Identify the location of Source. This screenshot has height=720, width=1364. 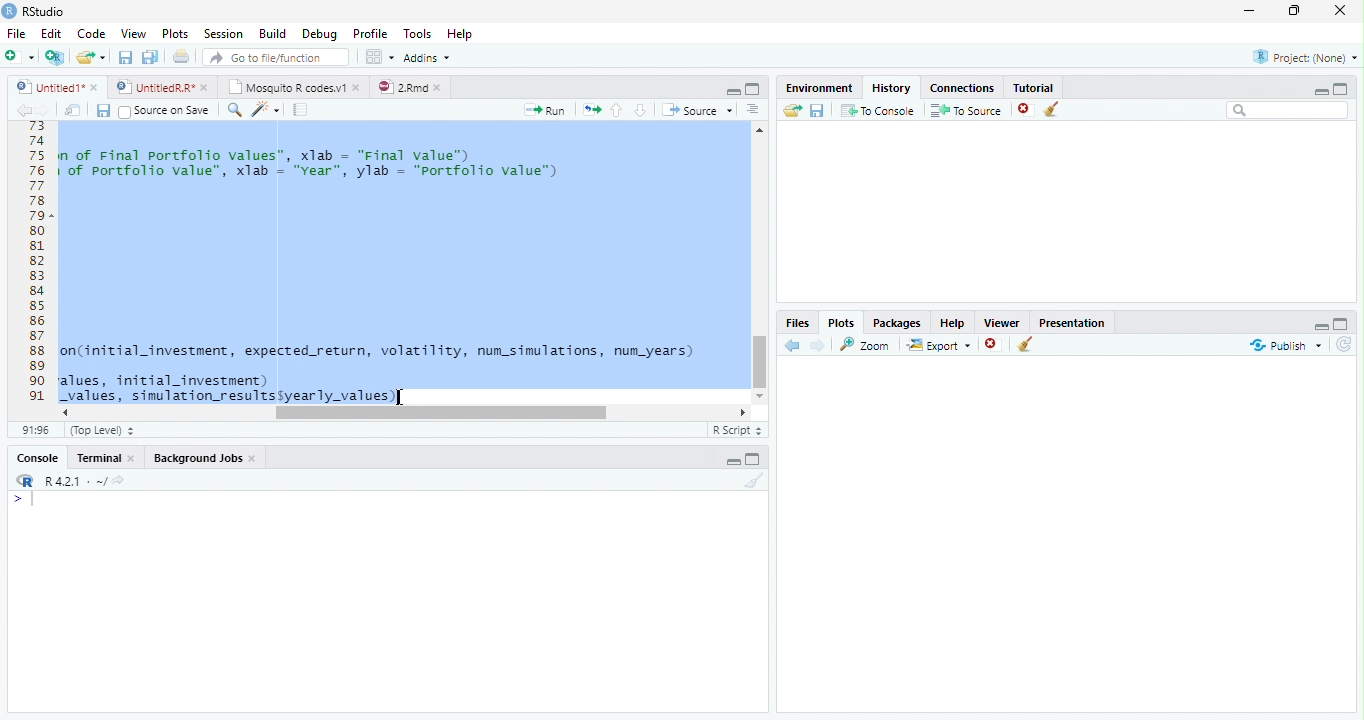
(696, 109).